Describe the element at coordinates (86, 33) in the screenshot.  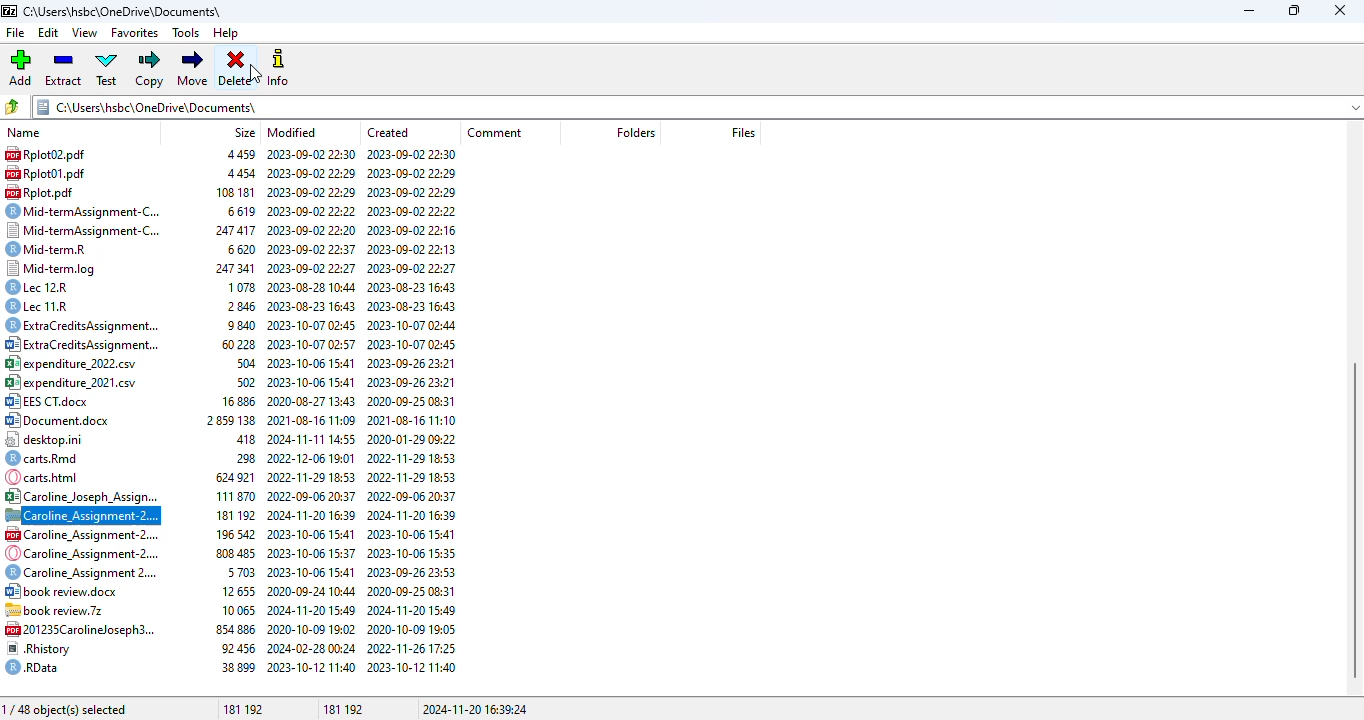
I see `view` at that location.